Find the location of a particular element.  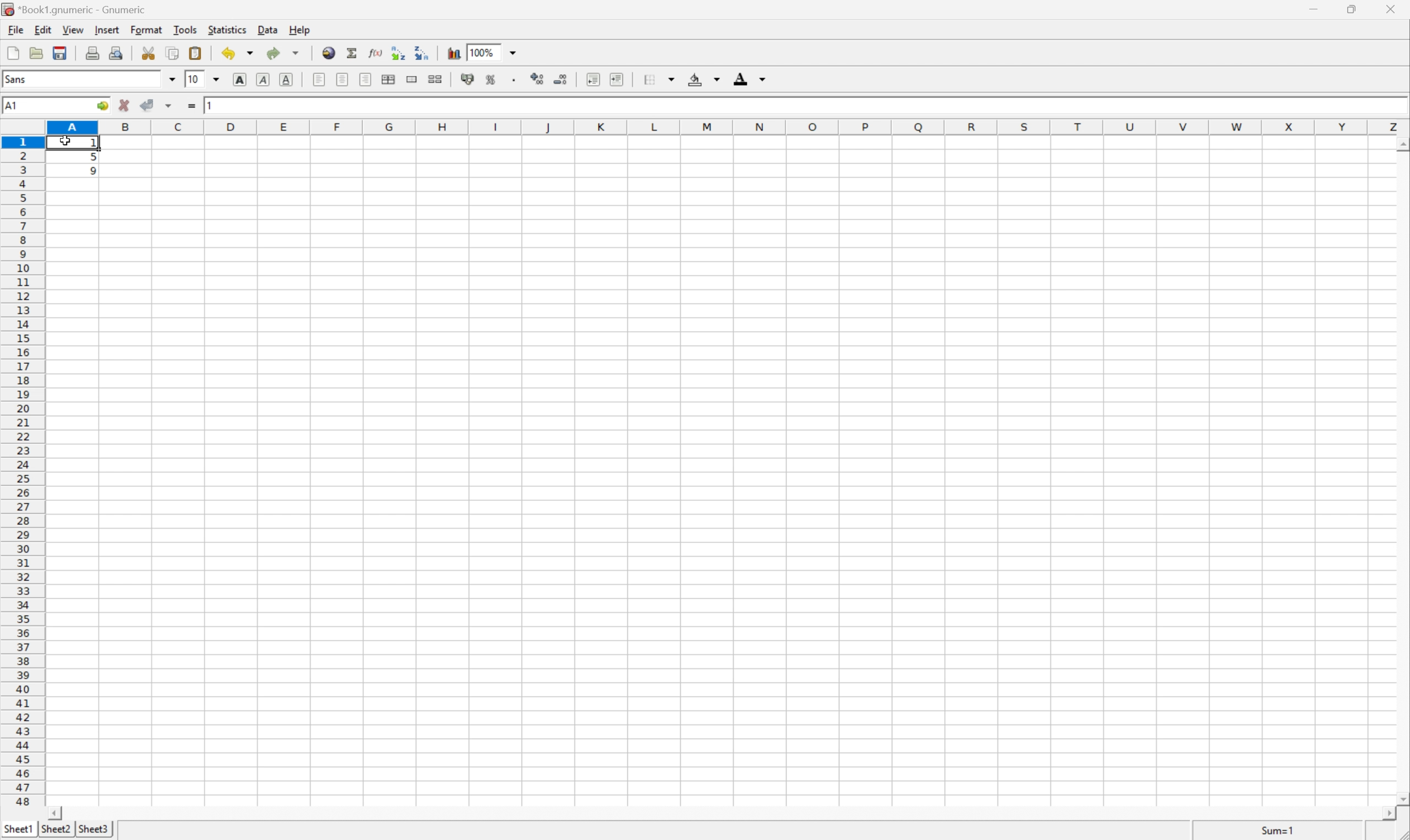

help is located at coordinates (301, 29).